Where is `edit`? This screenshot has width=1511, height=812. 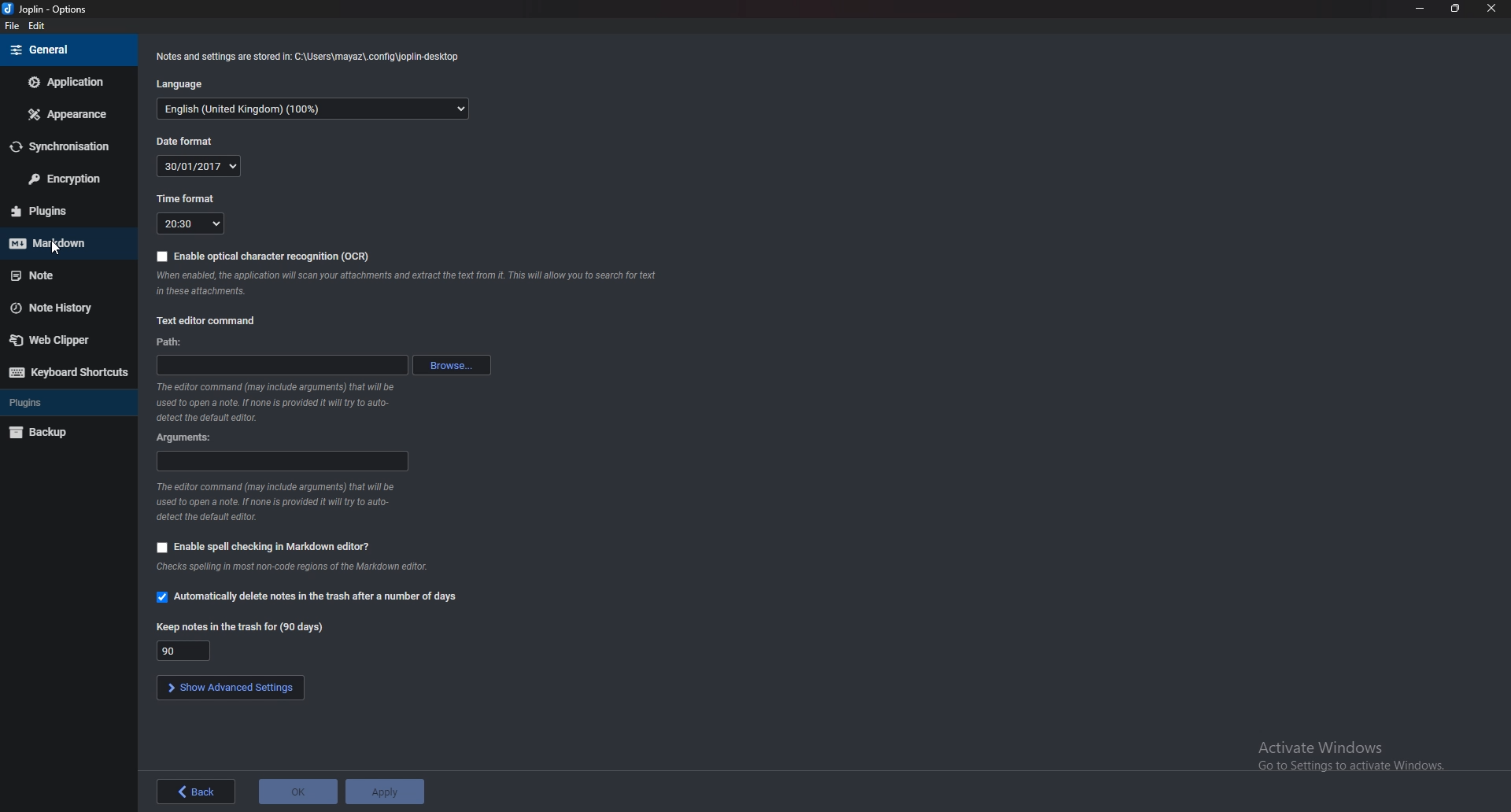 edit is located at coordinates (42, 27).